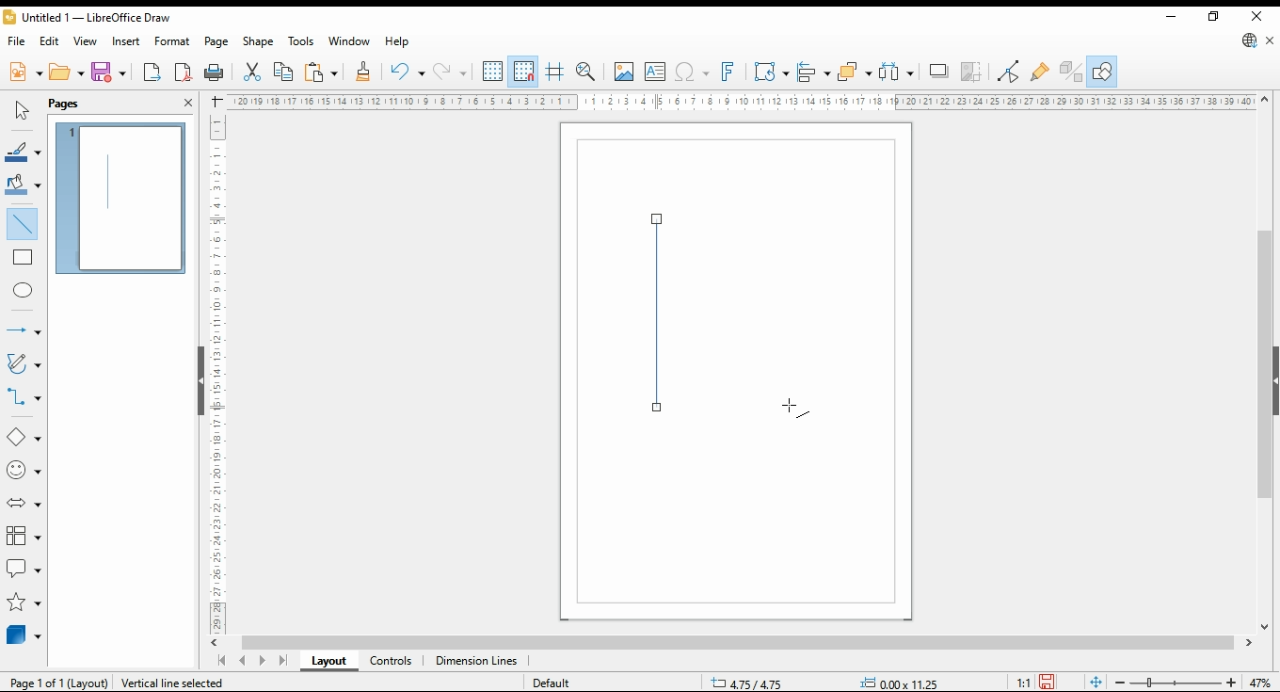 This screenshot has height=692, width=1280. Describe the element at coordinates (390, 662) in the screenshot. I see `controls` at that location.